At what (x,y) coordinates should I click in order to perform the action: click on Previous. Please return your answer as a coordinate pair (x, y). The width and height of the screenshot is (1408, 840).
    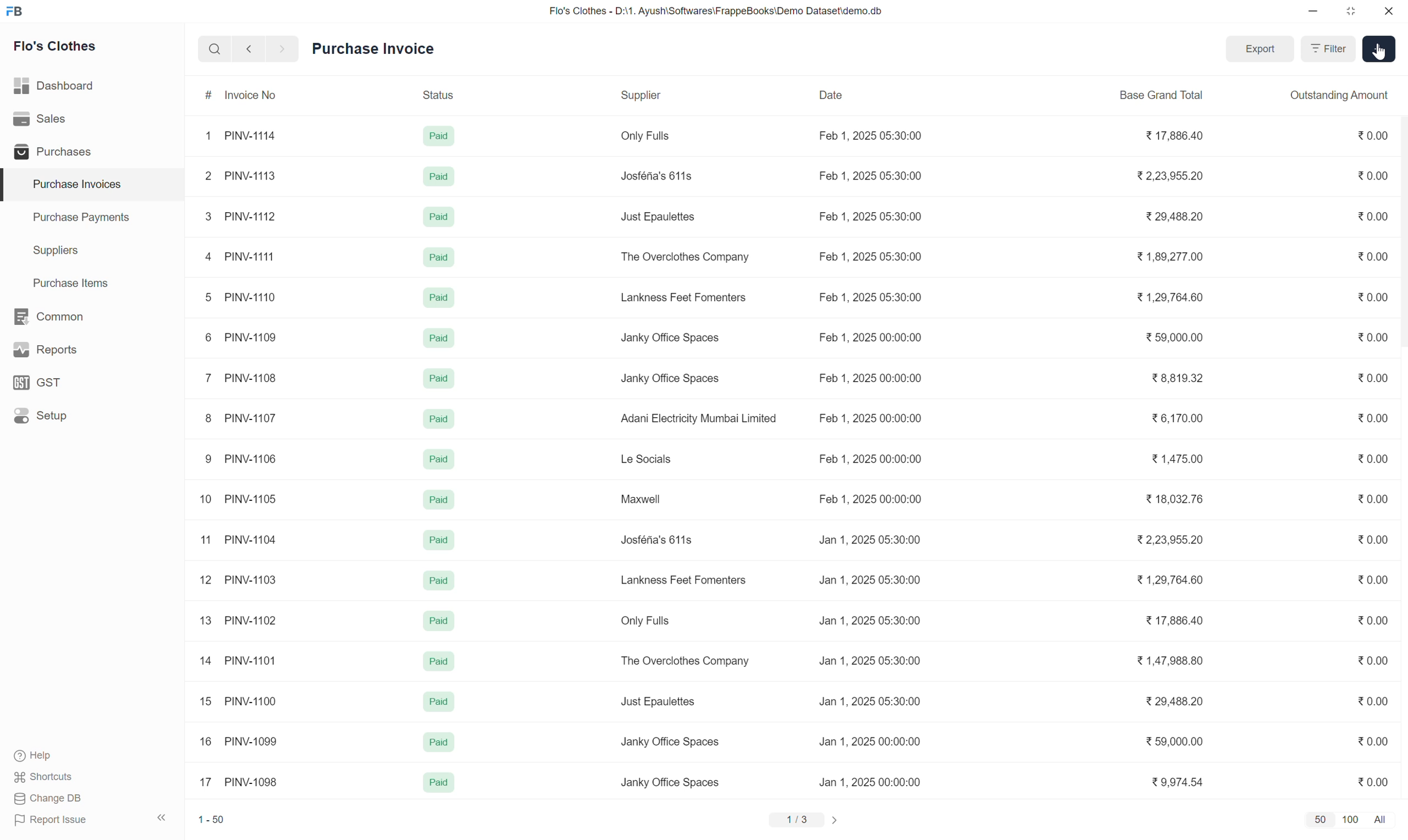
    Looking at the image, I should click on (249, 49).